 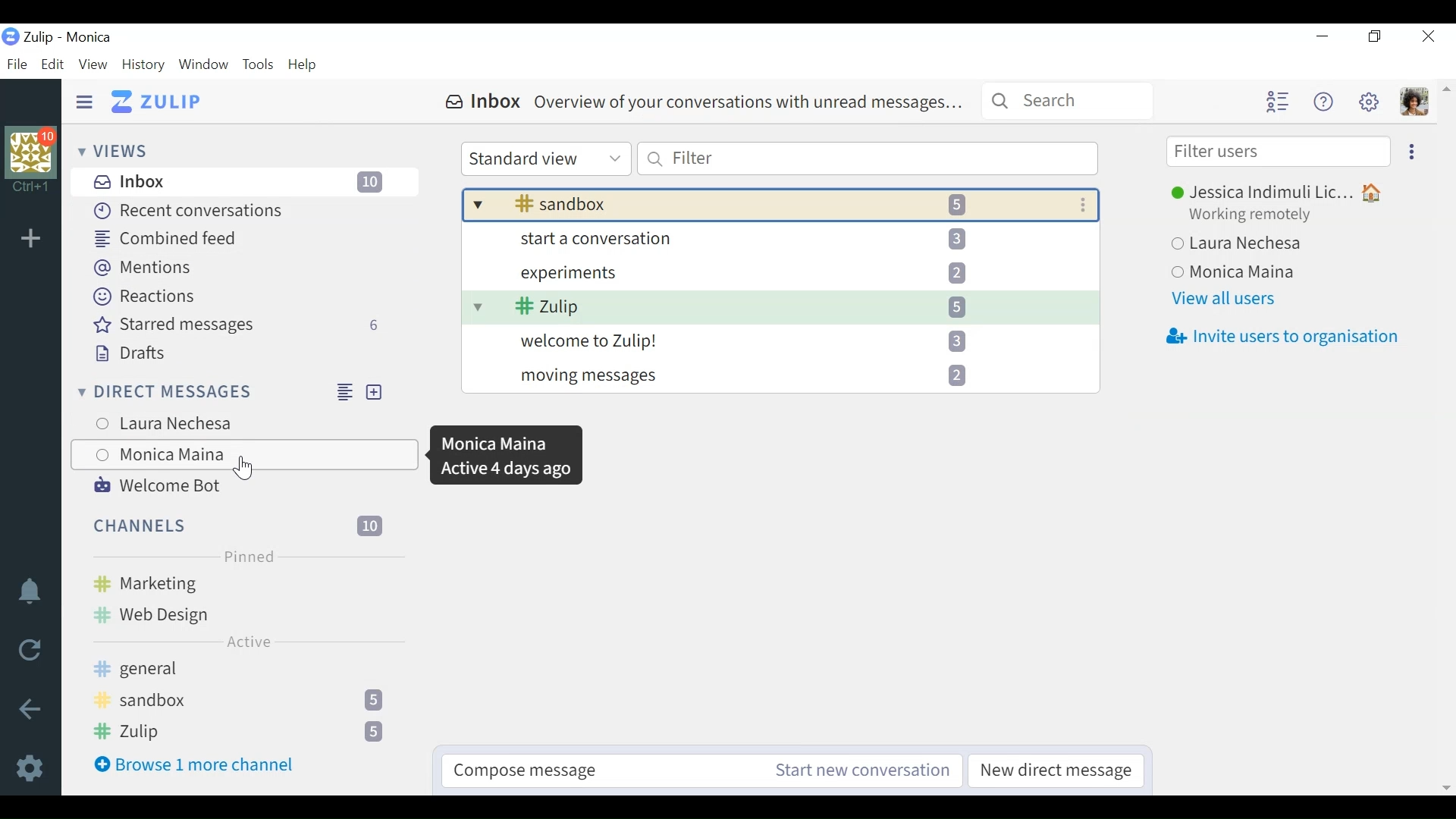 I want to click on Browse 1 more channel, so click(x=194, y=764).